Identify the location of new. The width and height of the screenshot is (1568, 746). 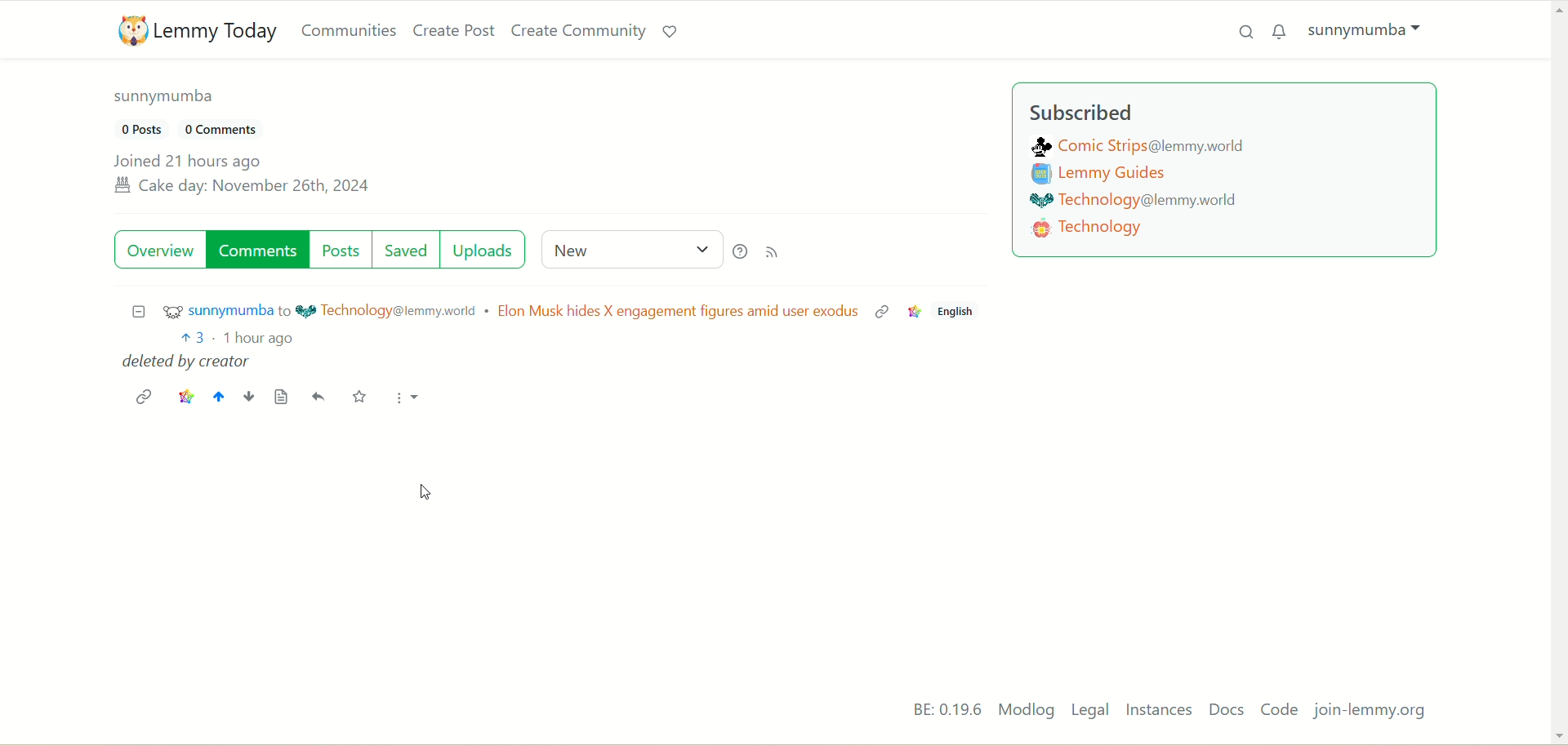
(626, 248).